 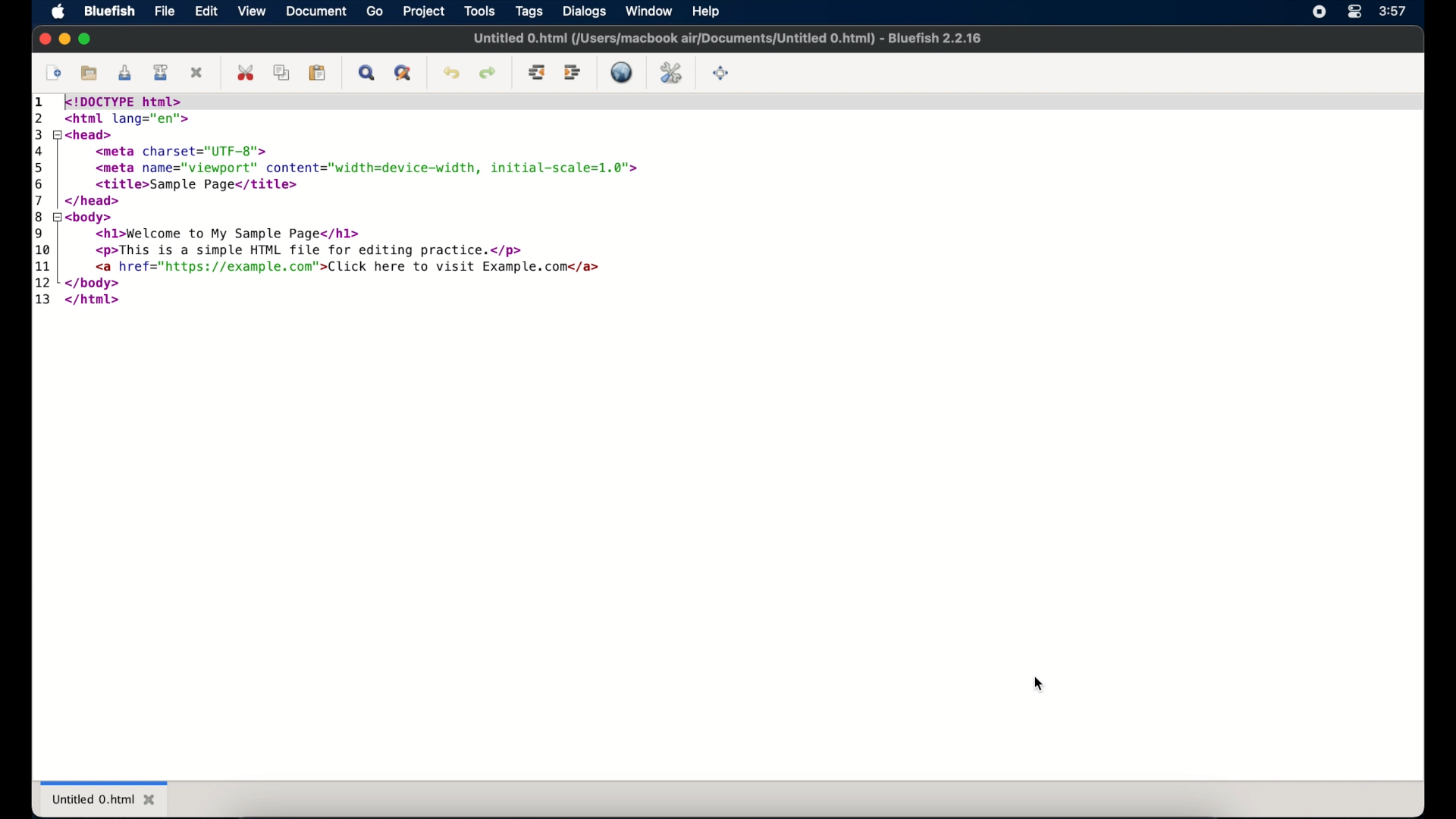 I want to click on redo, so click(x=487, y=74).